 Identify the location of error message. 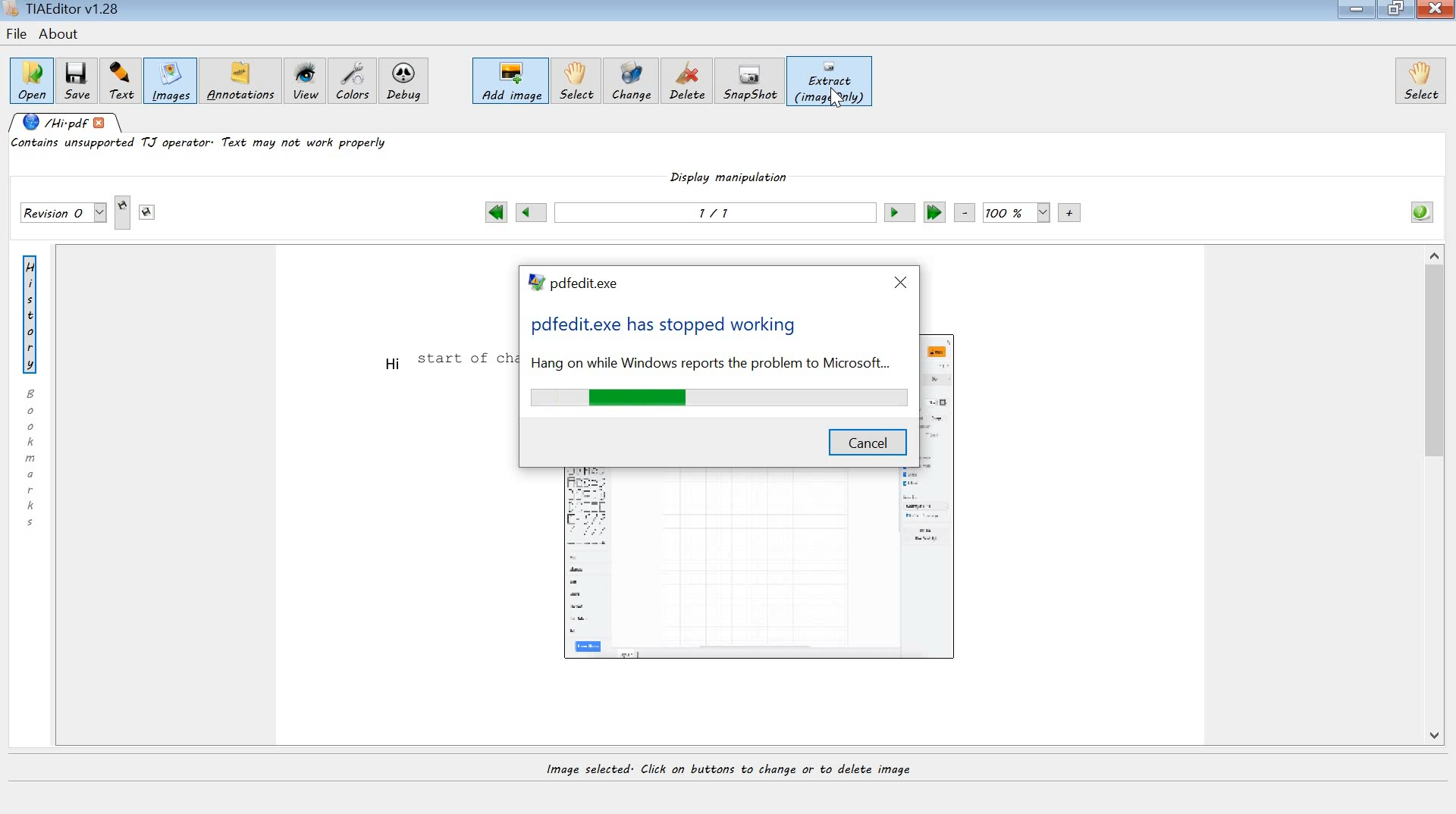
(719, 345).